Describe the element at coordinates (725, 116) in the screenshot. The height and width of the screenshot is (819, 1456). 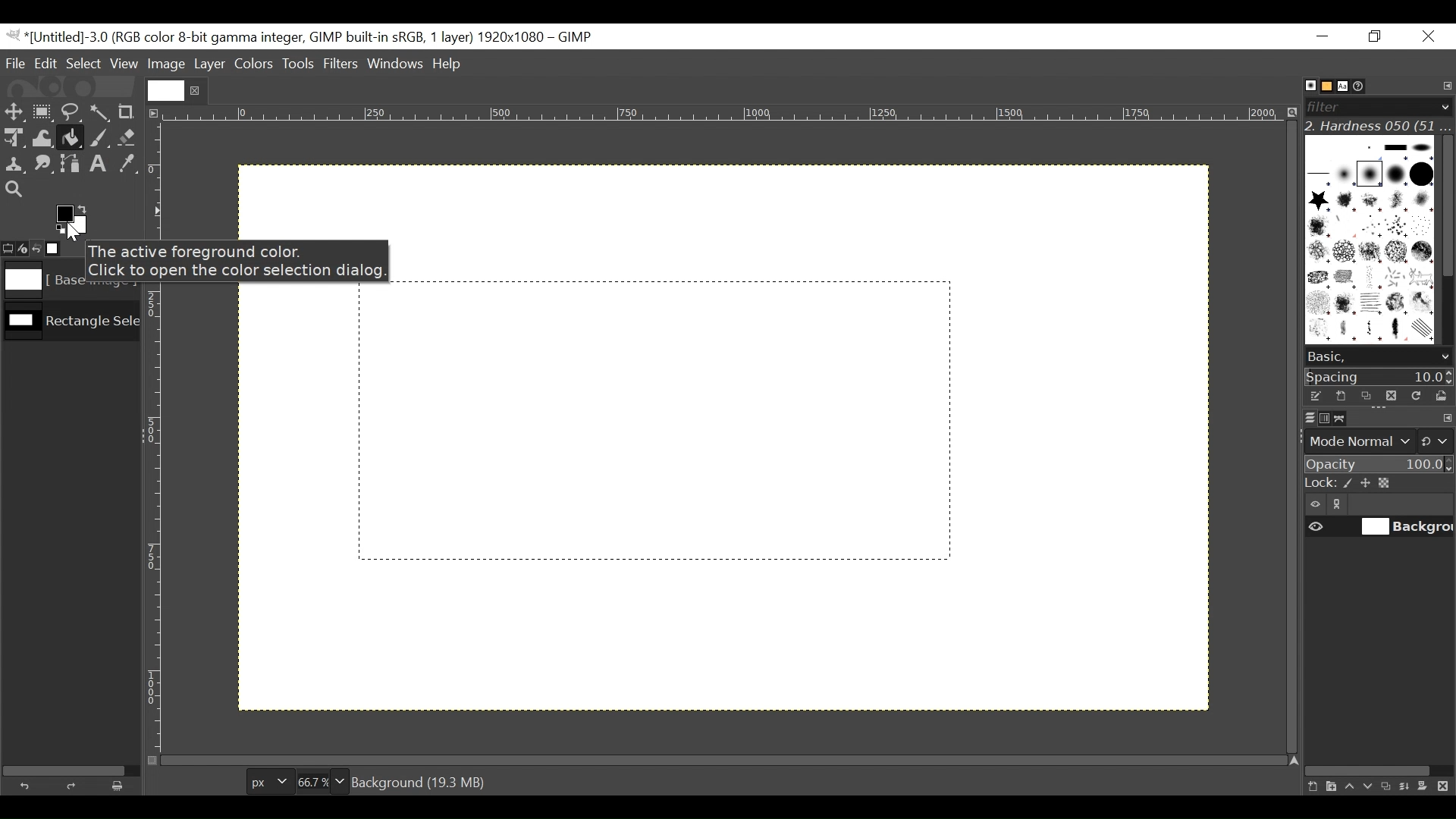
I see `Horizontal ruler` at that location.